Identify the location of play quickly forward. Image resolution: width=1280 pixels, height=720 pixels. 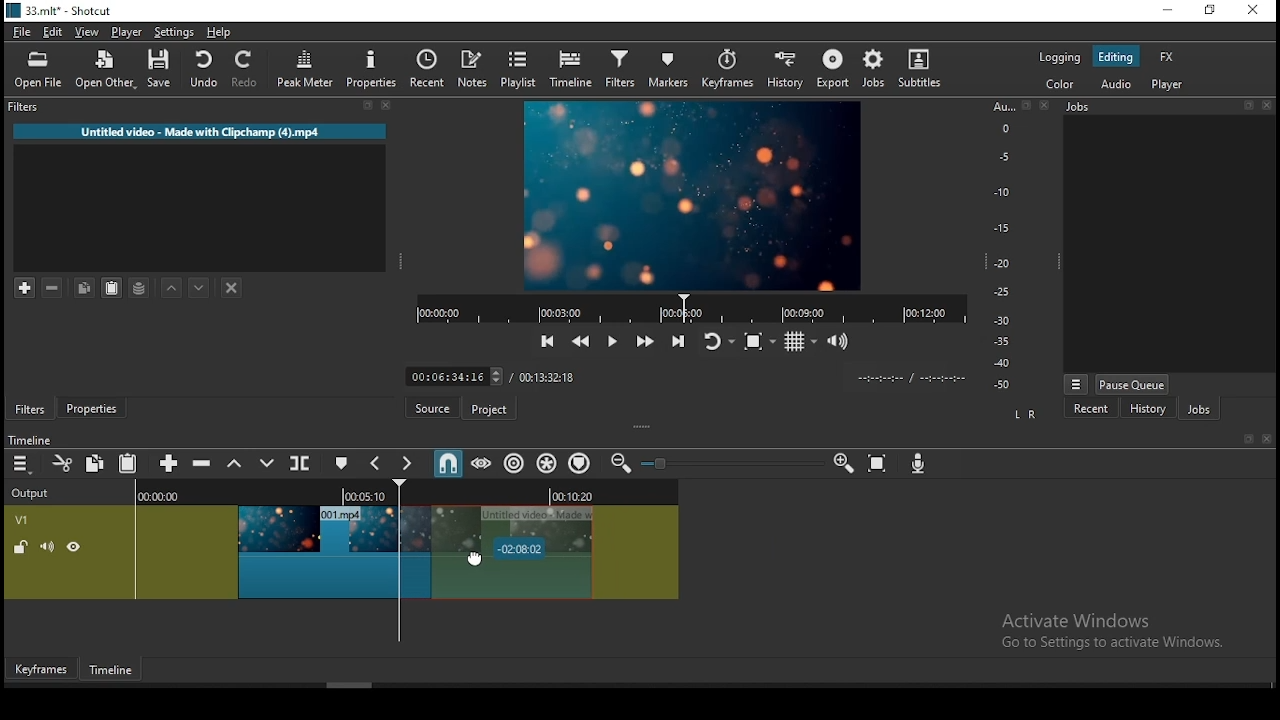
(643, 342).